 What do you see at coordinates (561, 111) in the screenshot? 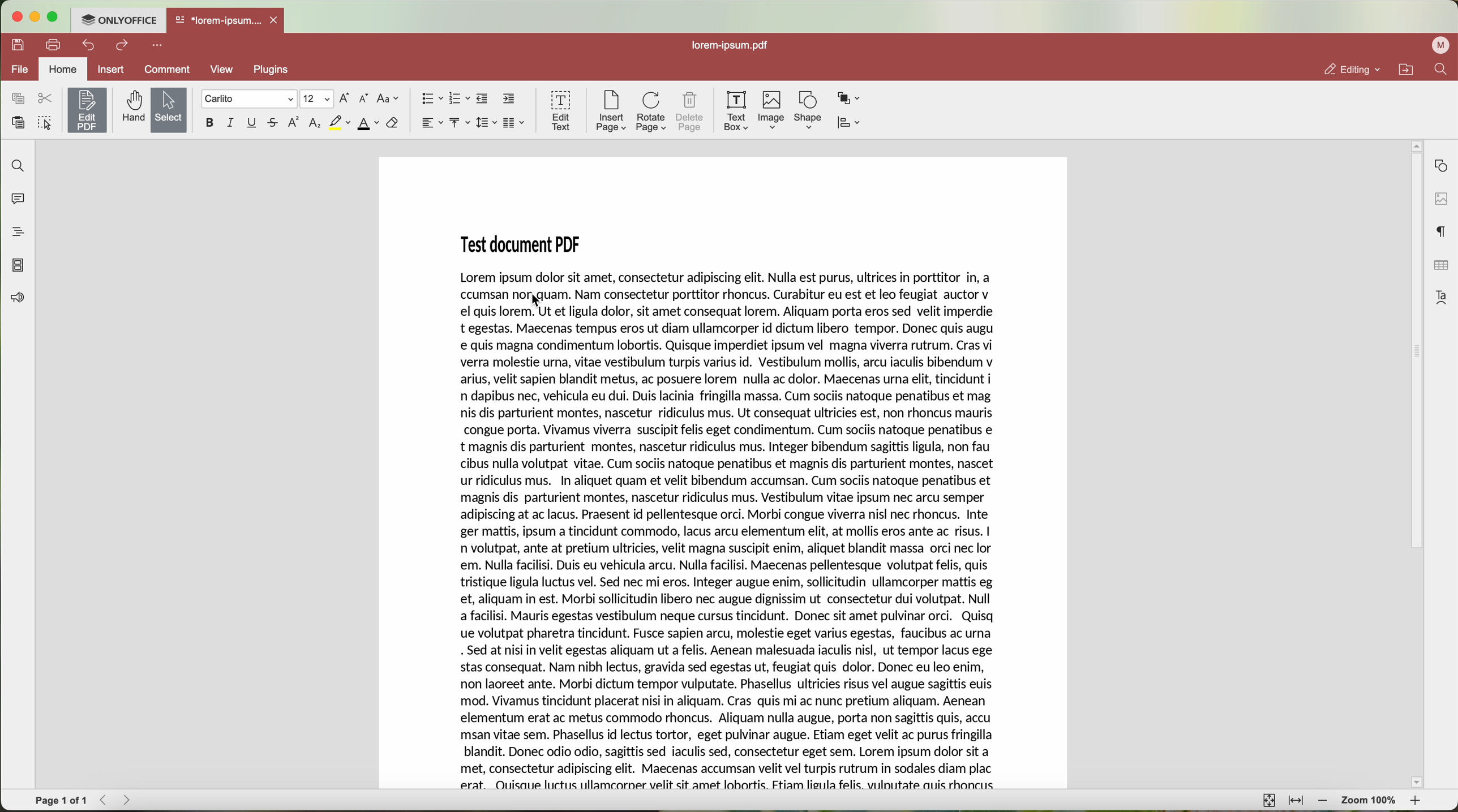
I see `edit text` at bounding box center [561, 111].